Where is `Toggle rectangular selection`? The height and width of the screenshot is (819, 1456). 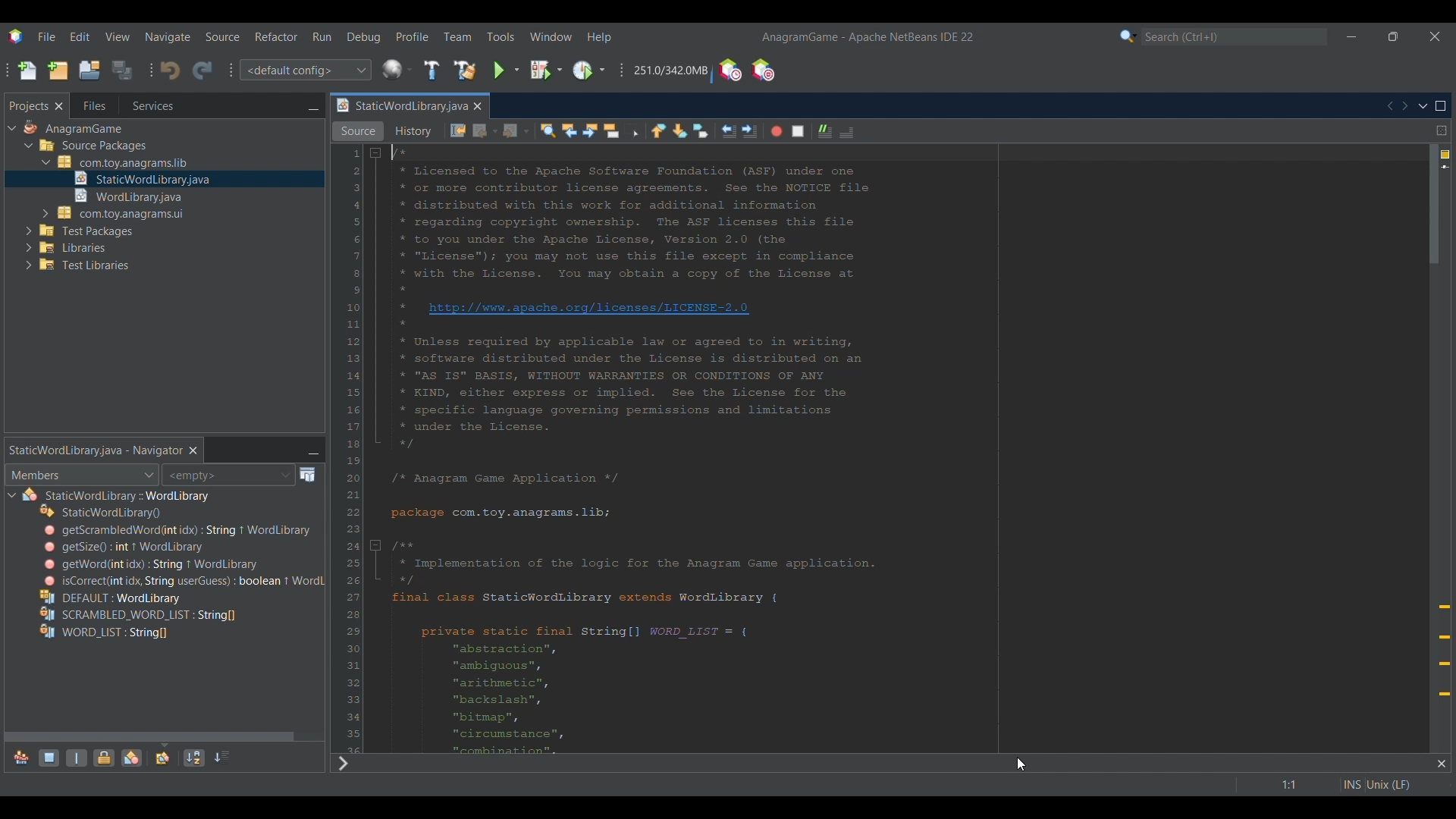
Toggle rectangular selection is located at coordinates (632, 130).